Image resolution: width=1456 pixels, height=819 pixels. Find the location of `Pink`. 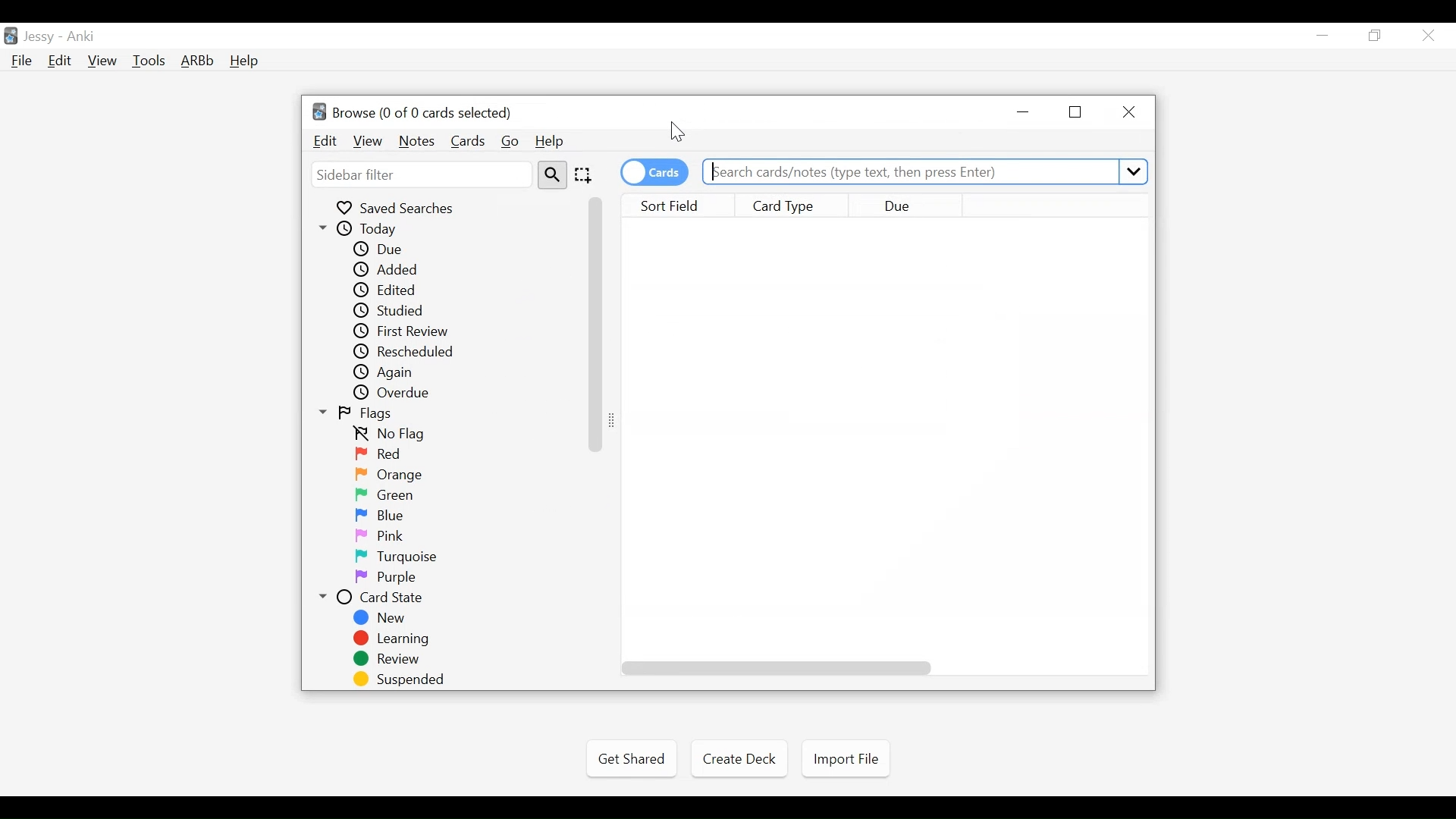

Pink is located at coordinates (384, 536).